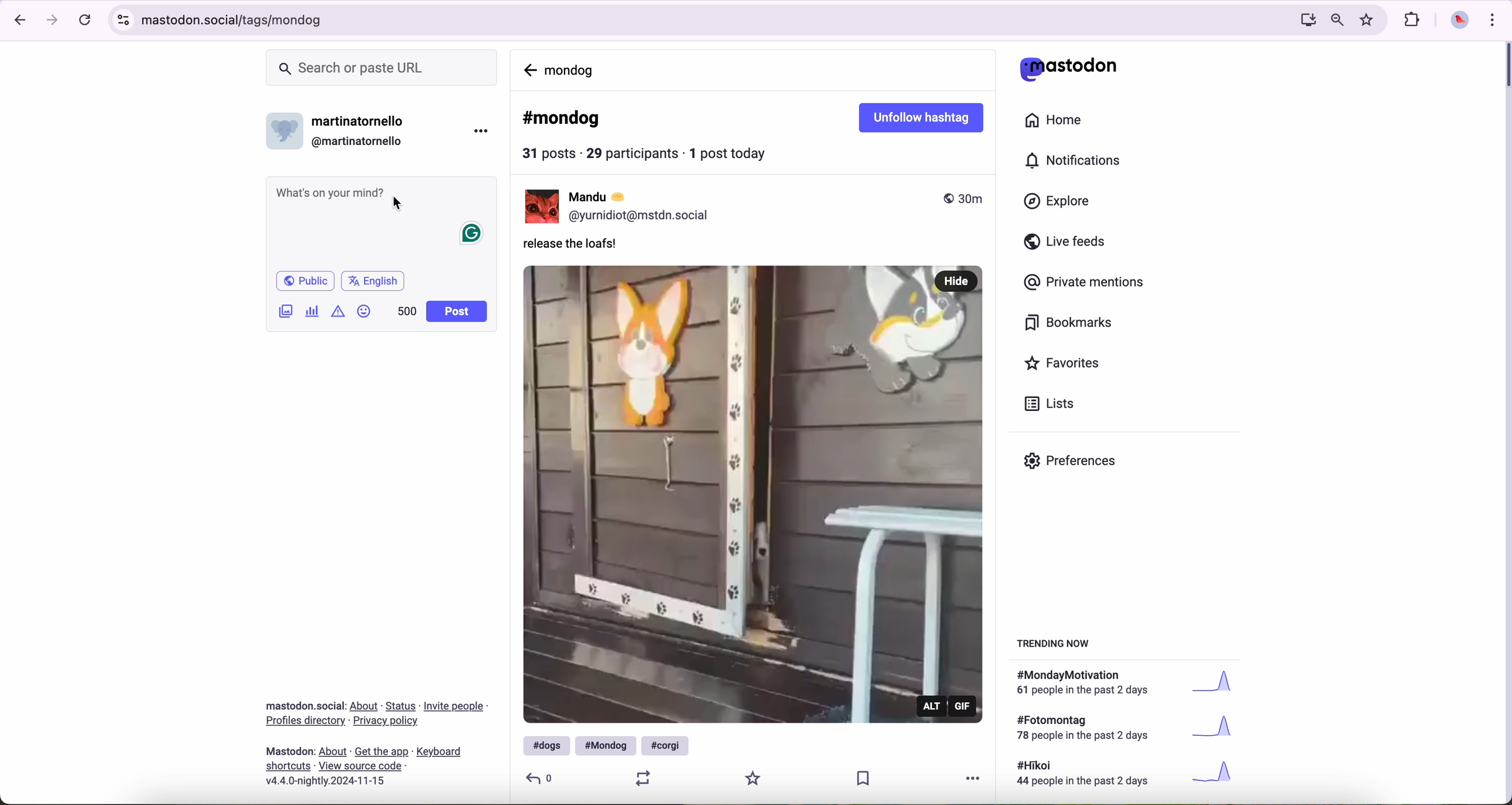  I want to click on Grammarly, so click(471, 234).